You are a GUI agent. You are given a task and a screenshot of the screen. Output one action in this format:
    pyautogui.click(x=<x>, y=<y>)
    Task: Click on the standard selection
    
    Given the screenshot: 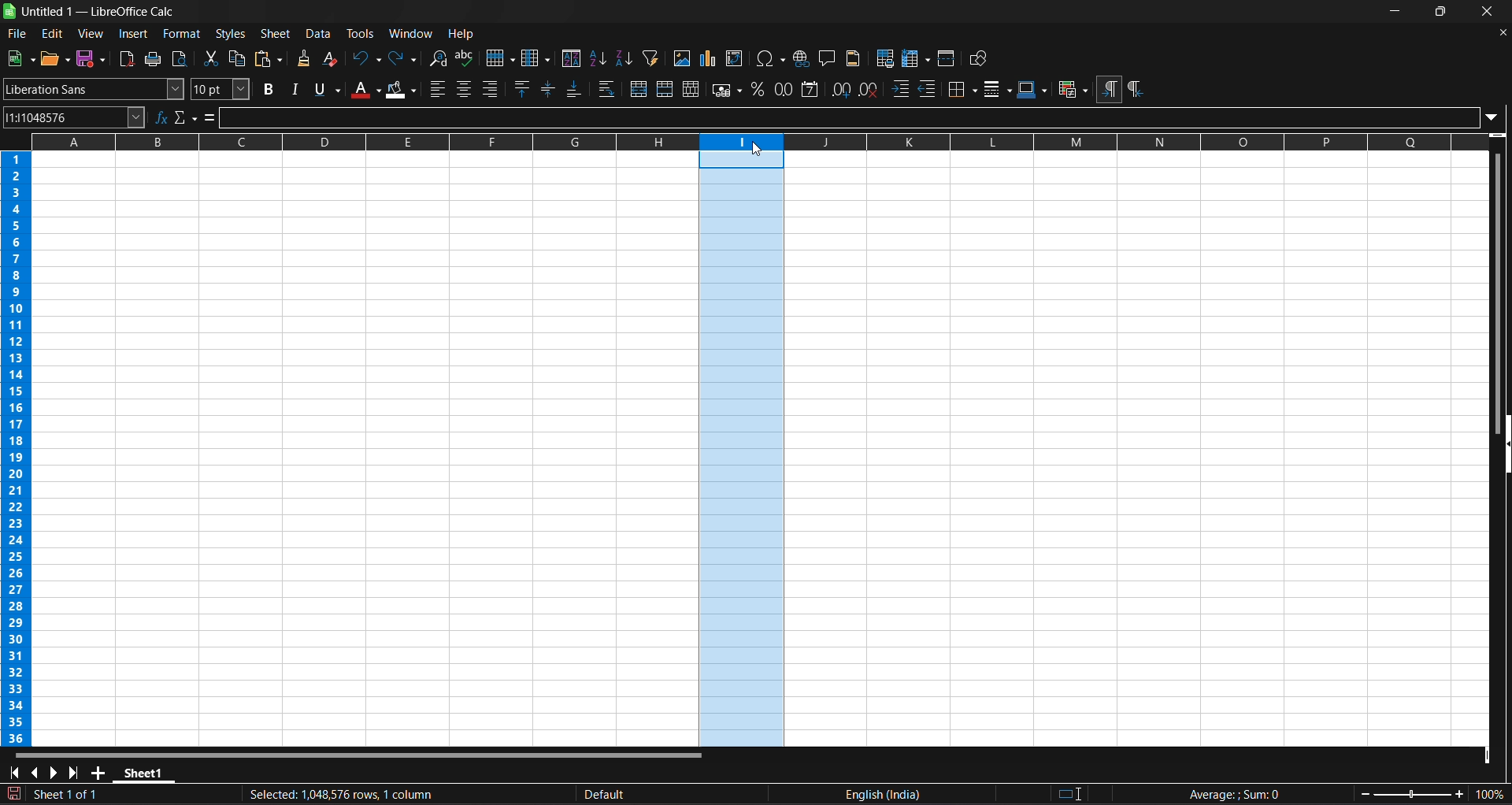 What is the action you would take?
    pyautogui.click(x=1077, y=793)
    